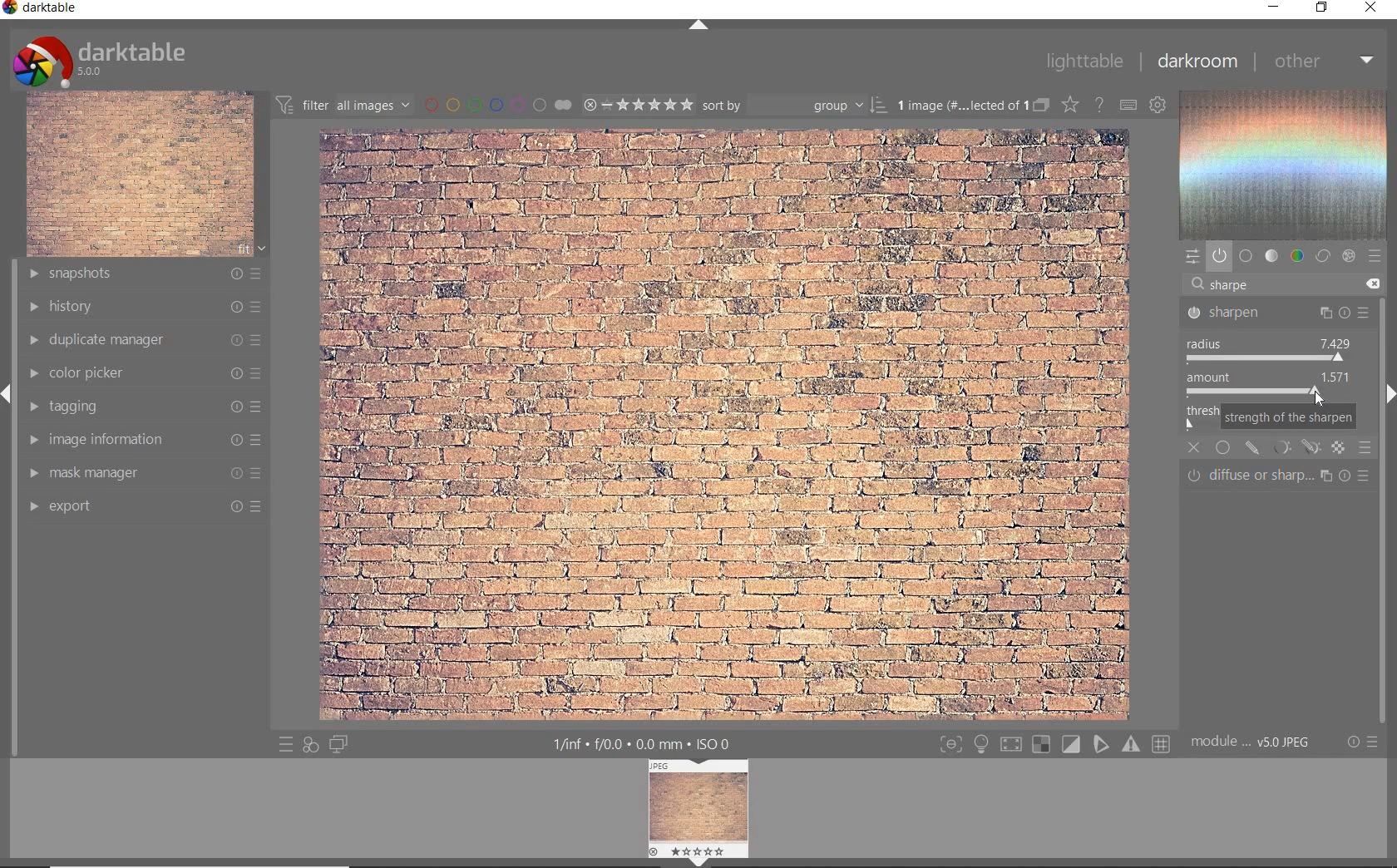 The height and width of the screenshot is (868, 1397). What do you see at coordinates (1127, 106) in the screenshot?
I see `define keyboard shortcut` at bounding box center [1127, 106].